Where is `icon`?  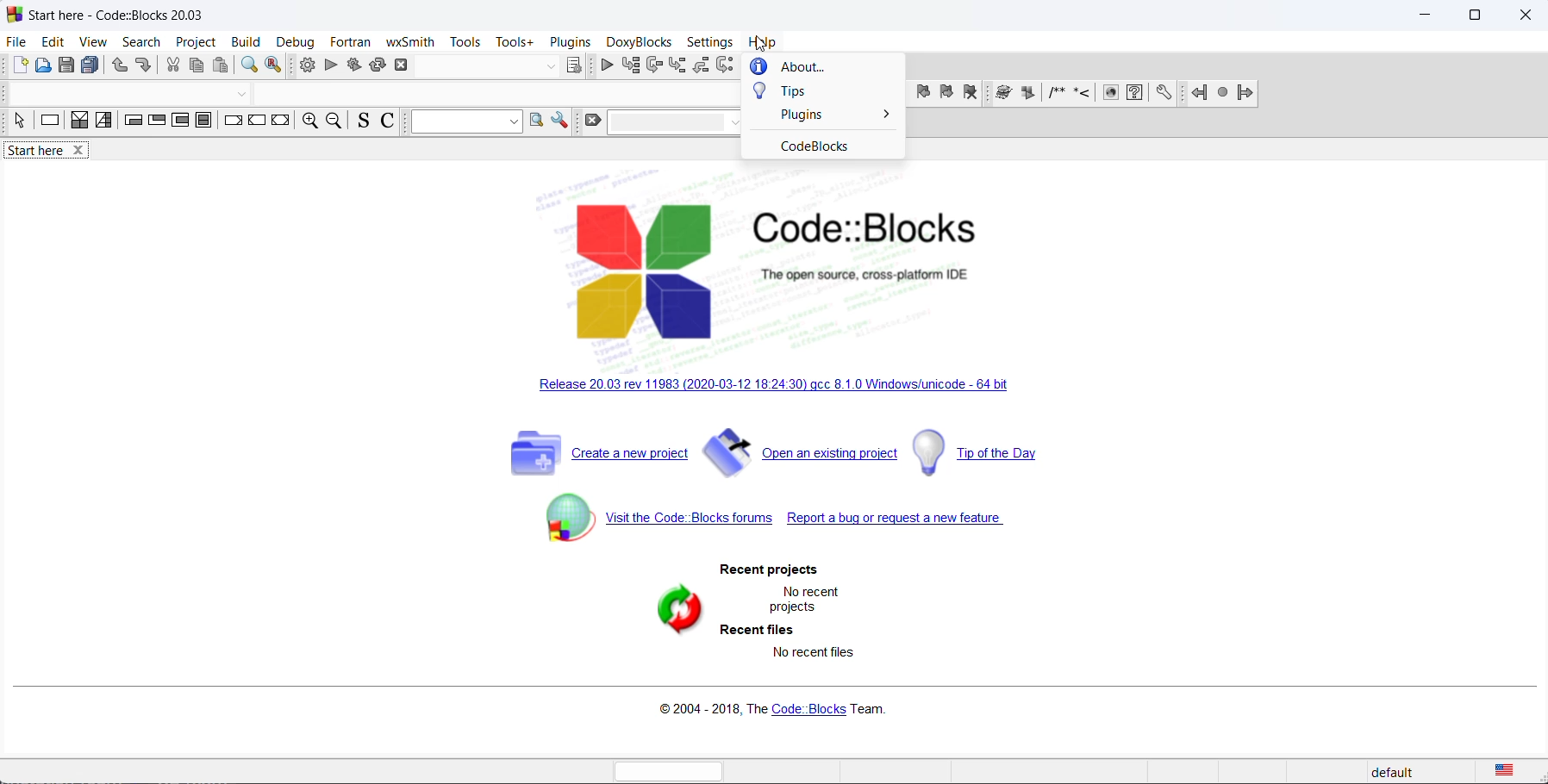 icon is located at coordinates (1056, 94).